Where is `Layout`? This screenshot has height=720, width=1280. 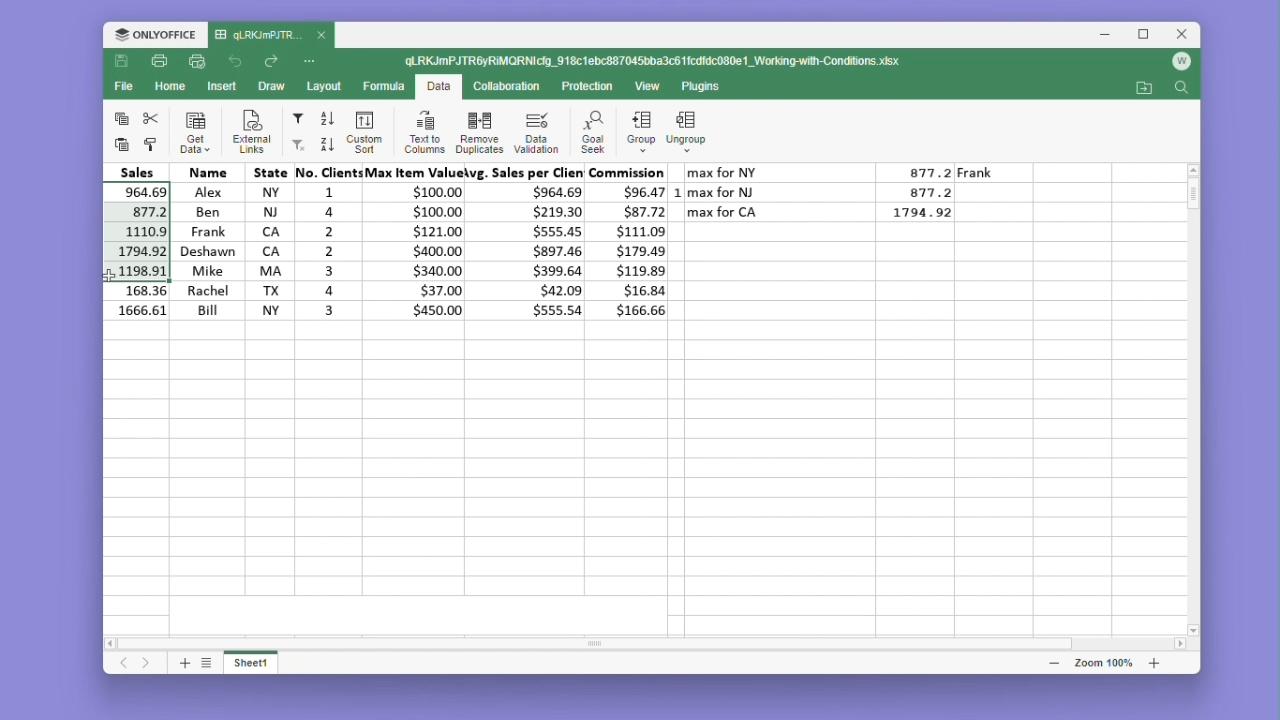 Layout is located at coordinates (325, 86).